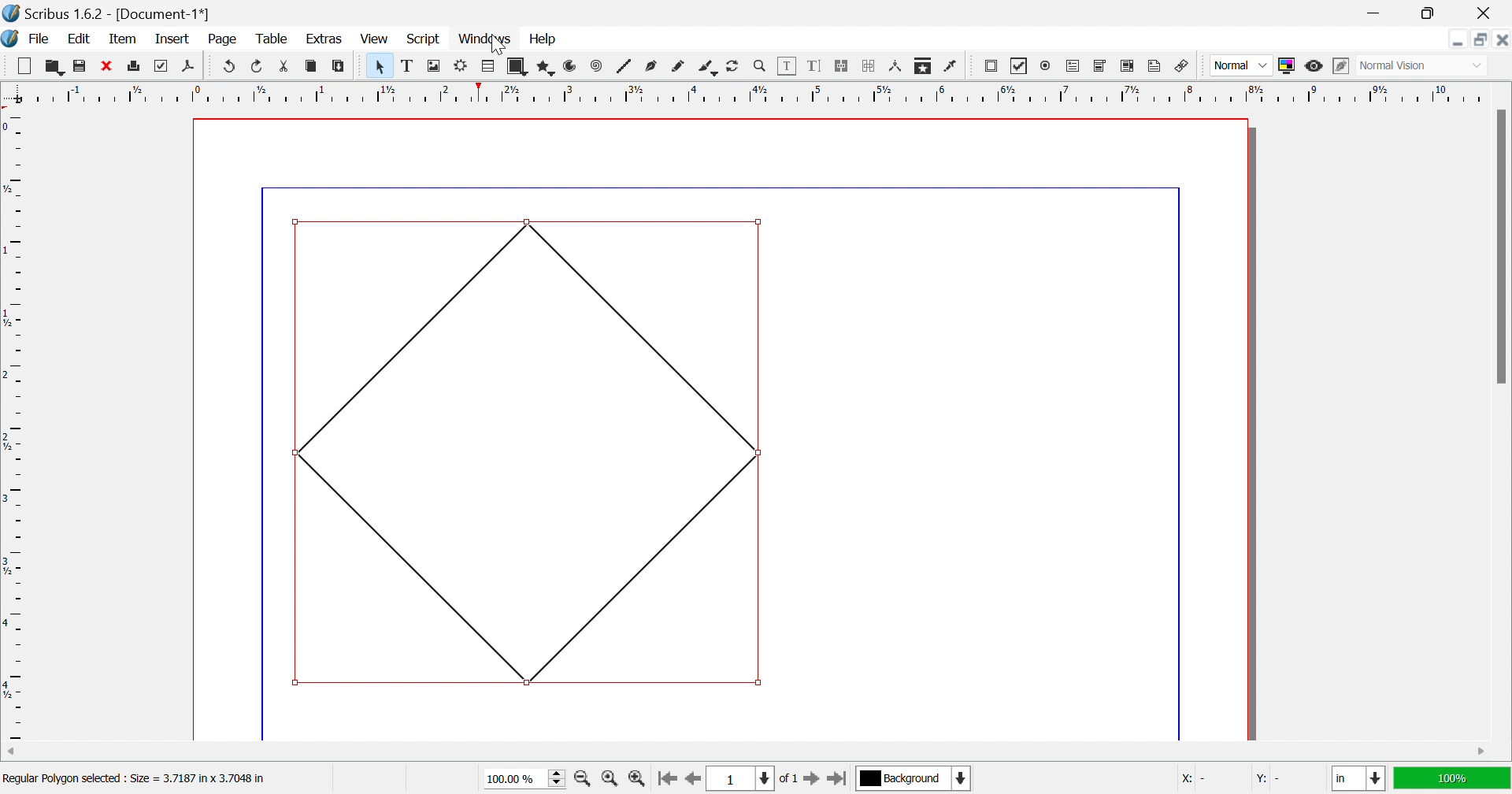 Image resolution: width=1512 pixels, height=794 pixels. Describe the element at coordinates (653, 65) in the screenshot. I see `Bezler curve` at that location.